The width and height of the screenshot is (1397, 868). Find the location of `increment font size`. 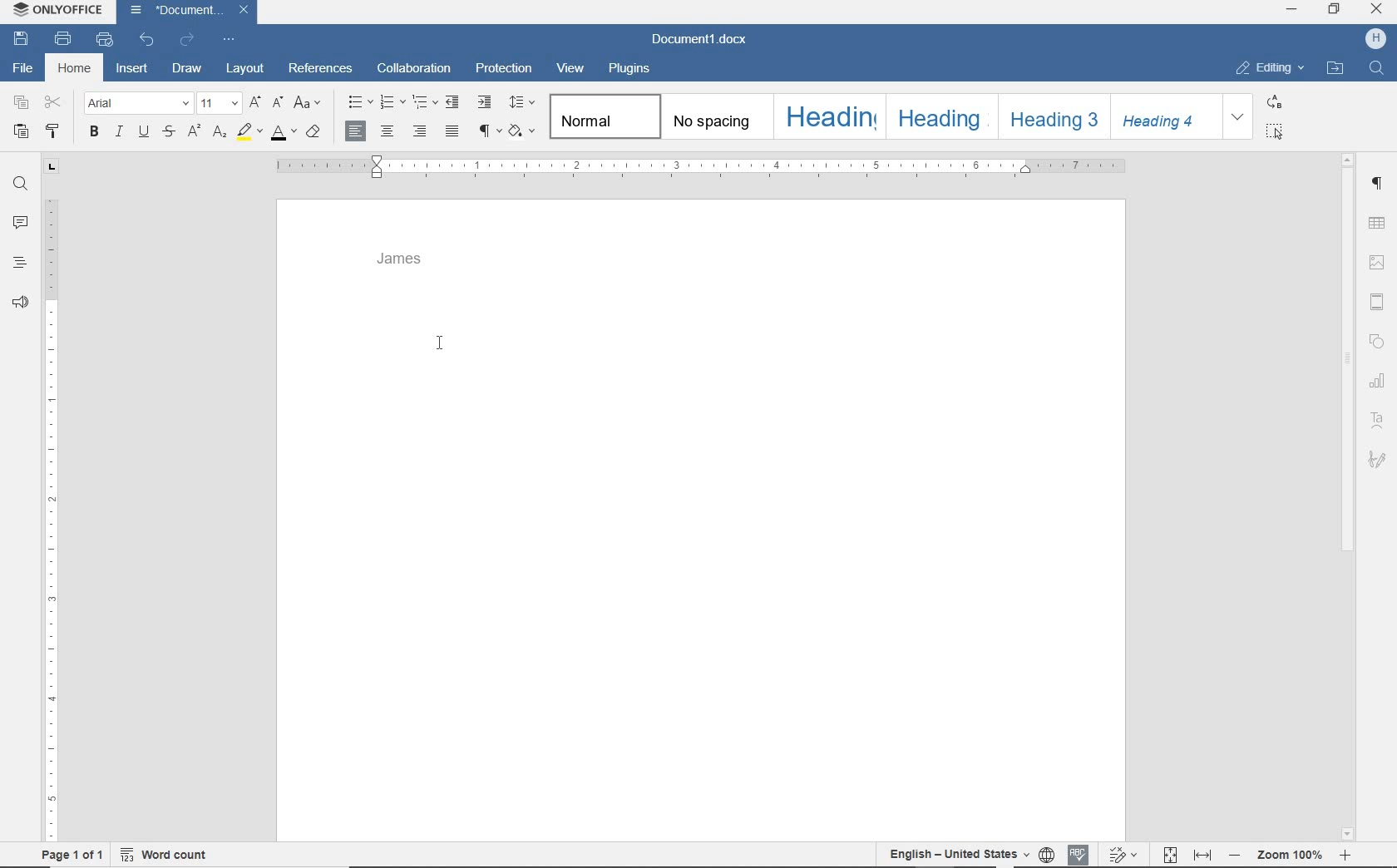

increment font size is located at coordinates (257, 103).